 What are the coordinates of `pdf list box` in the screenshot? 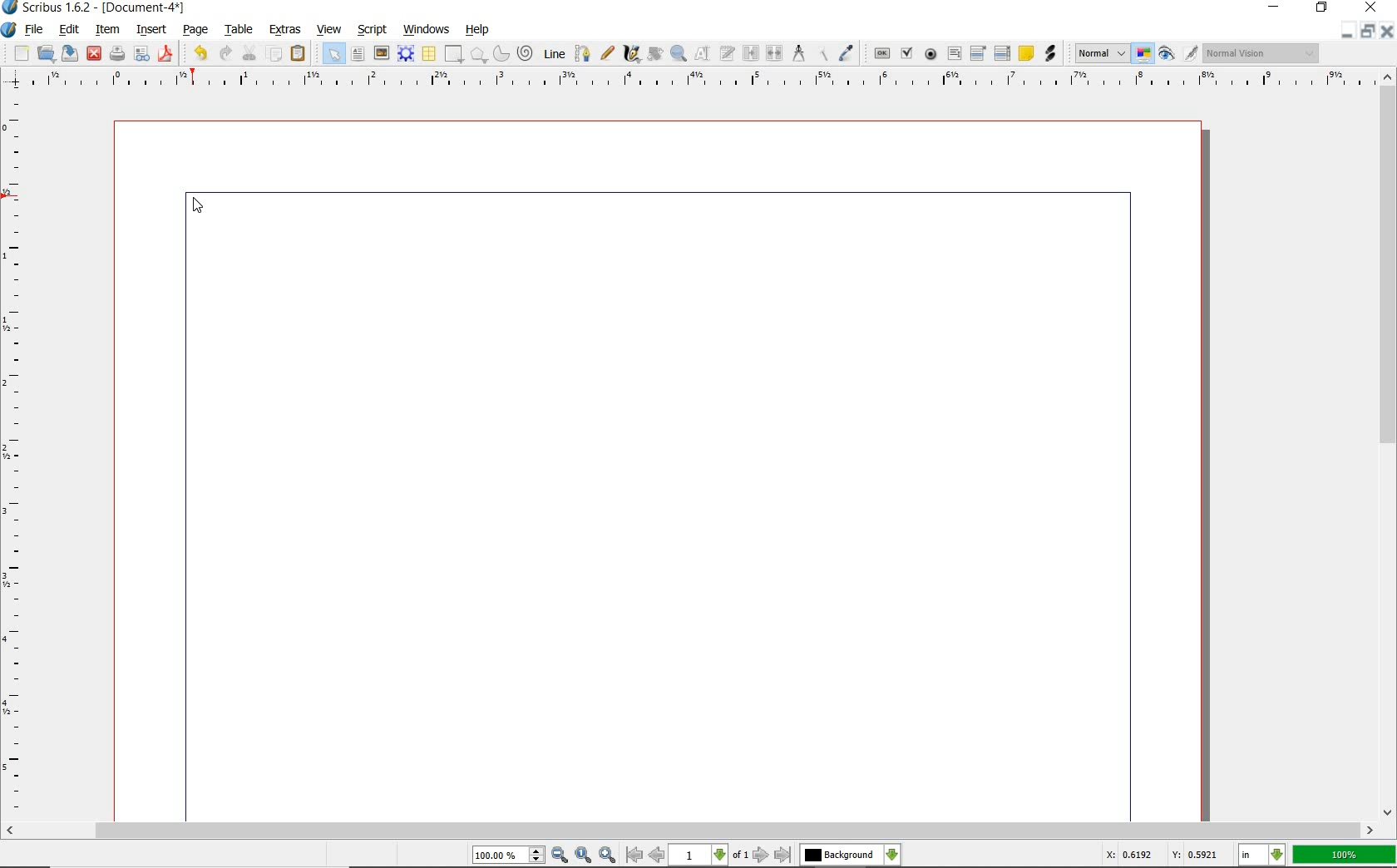 It's located at (1002, 52).